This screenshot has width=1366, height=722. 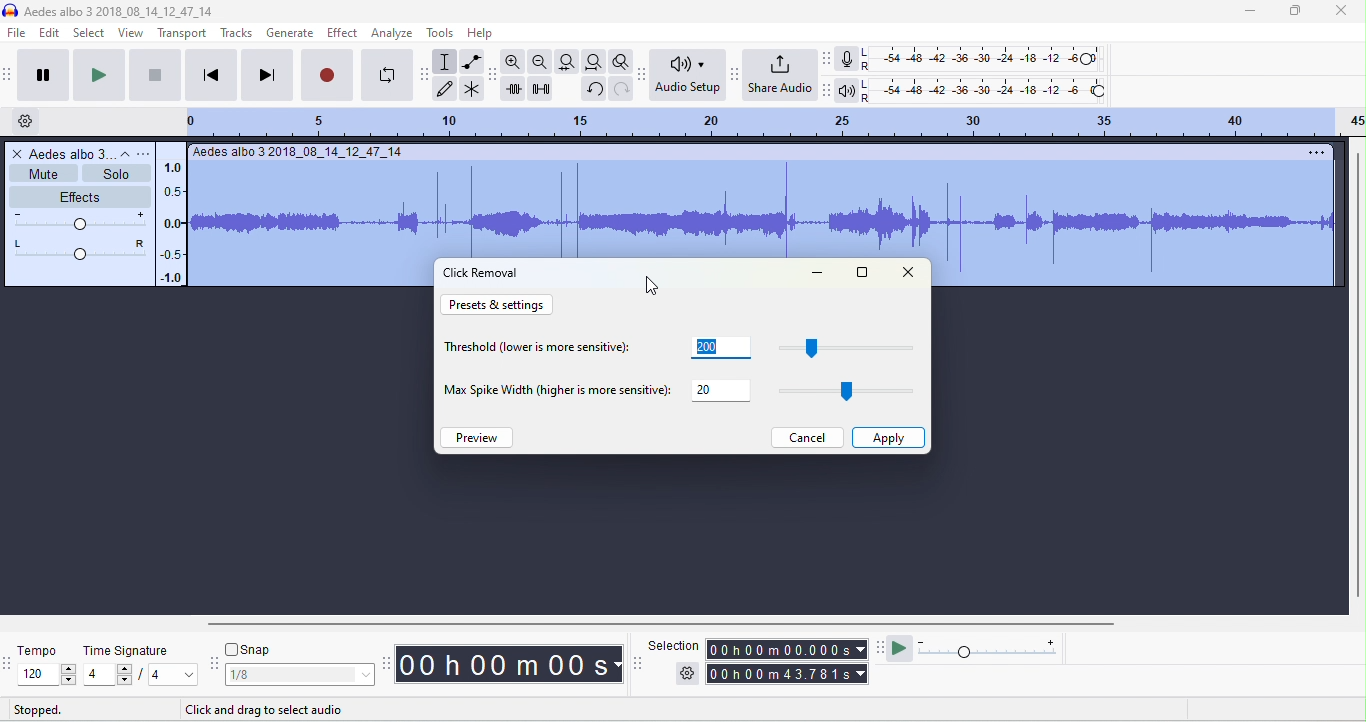 I want to click on R, so click(x=866, y=67).